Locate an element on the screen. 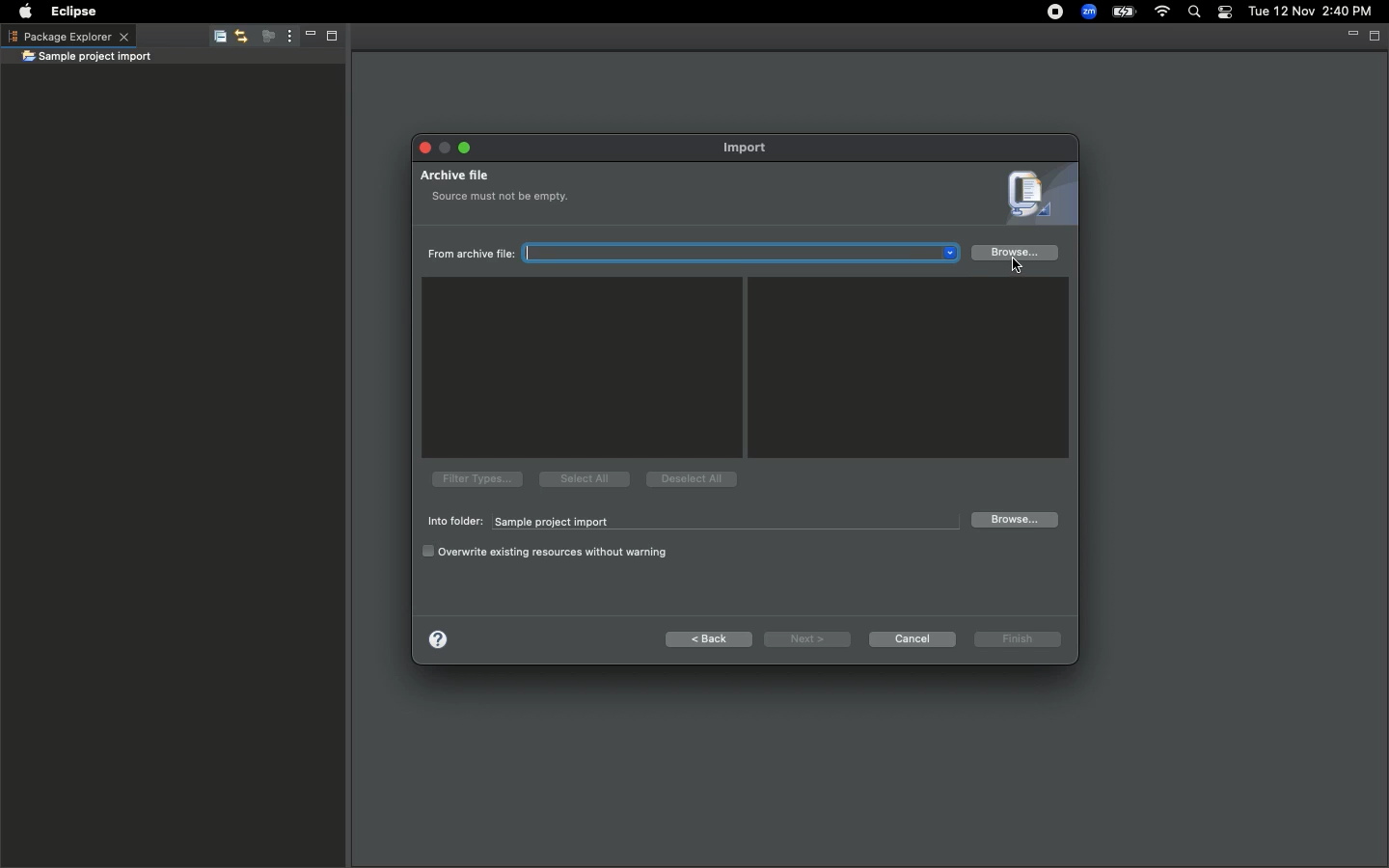 The height and width of the screenshot is (868, 1389). Icon is located at coordinates (1034, 197).